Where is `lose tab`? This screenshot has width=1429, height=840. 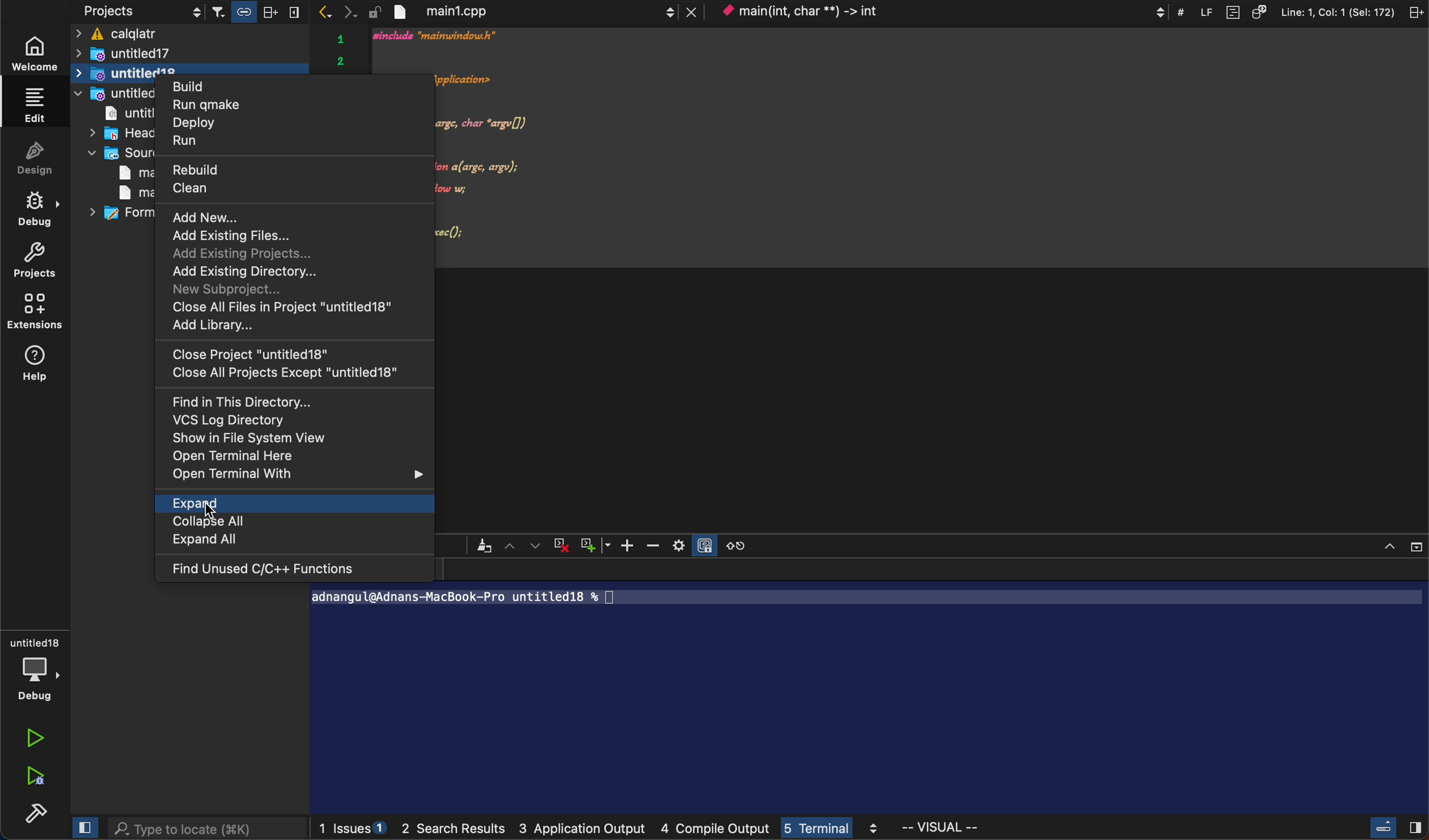 lose tab is located at coordinates (692, 12).